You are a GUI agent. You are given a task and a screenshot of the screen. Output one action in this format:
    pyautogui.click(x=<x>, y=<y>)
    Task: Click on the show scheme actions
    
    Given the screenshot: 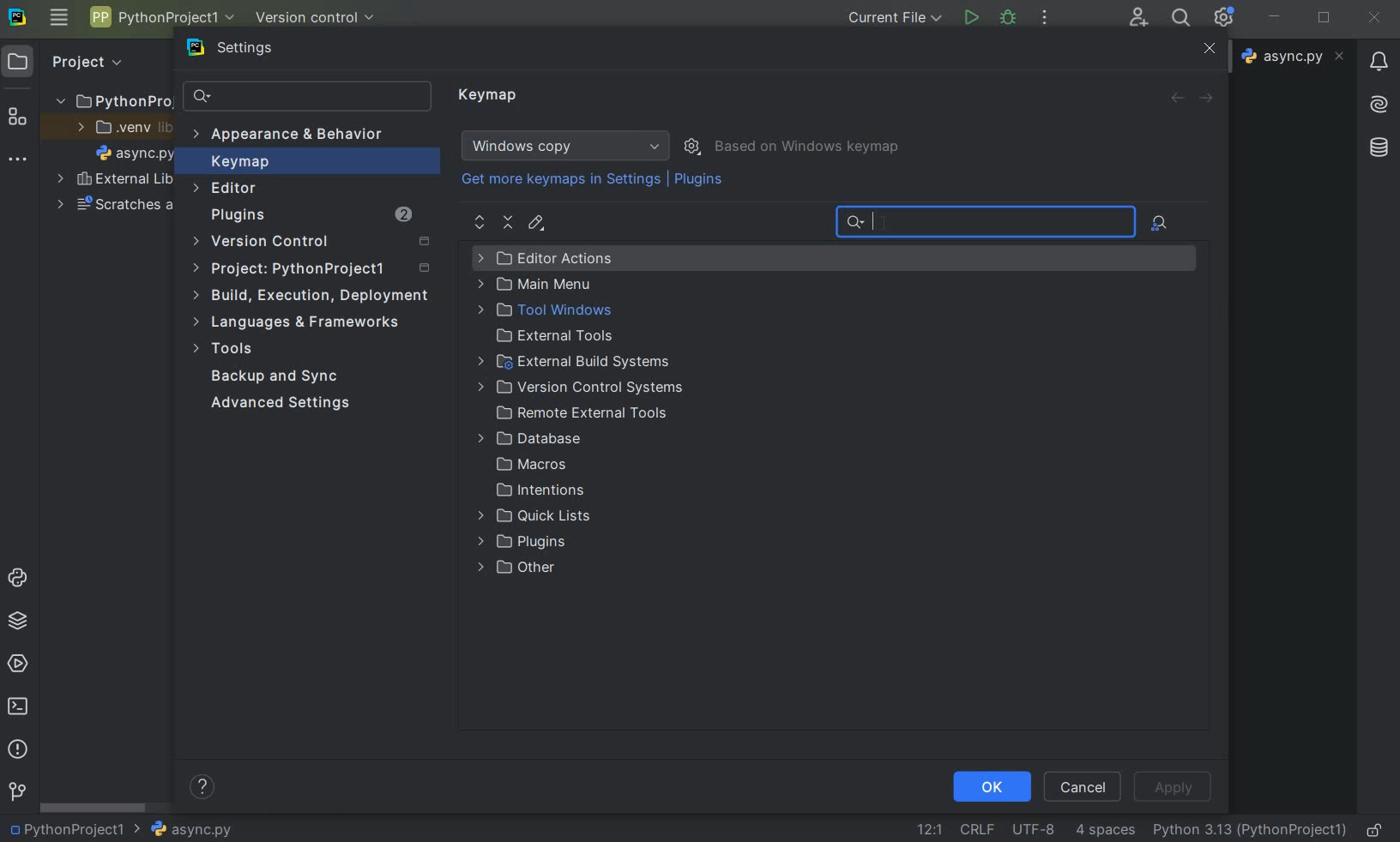 What is the action you would take?
    pyautogui.click(x=694, y=145)
    